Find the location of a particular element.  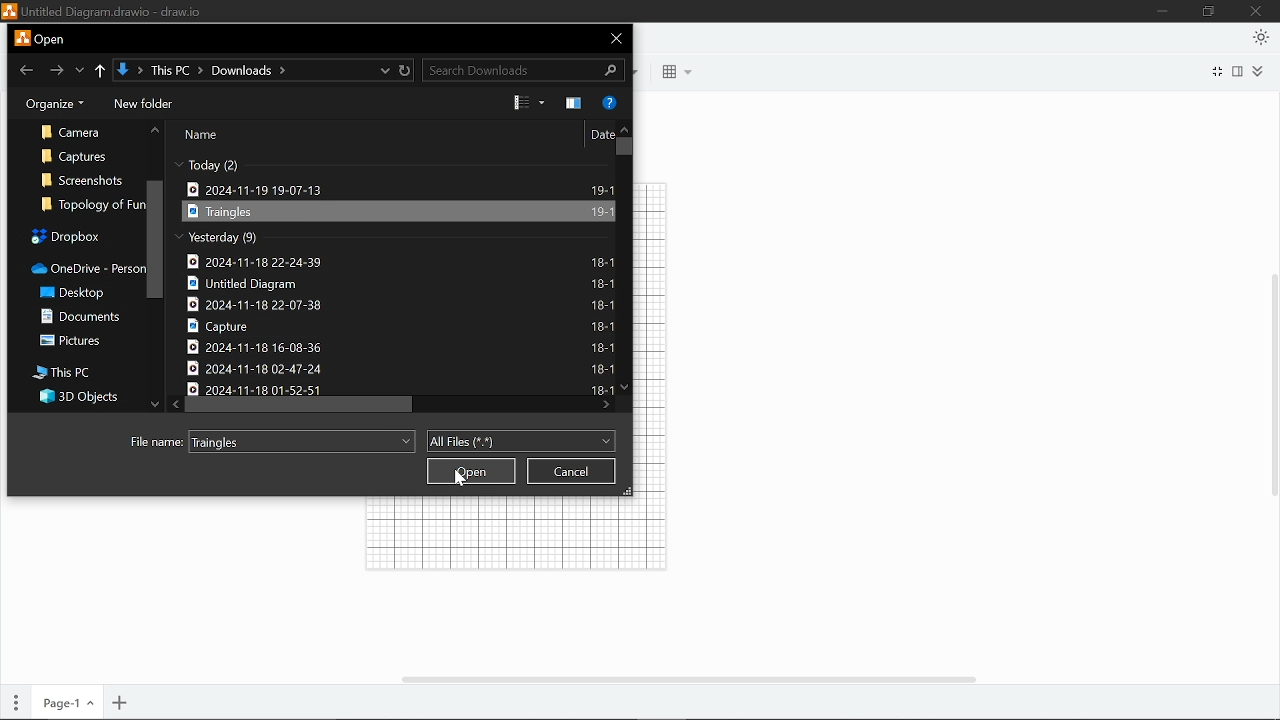

Vertical scrollbar for folders is located at coordinates (155, 239).